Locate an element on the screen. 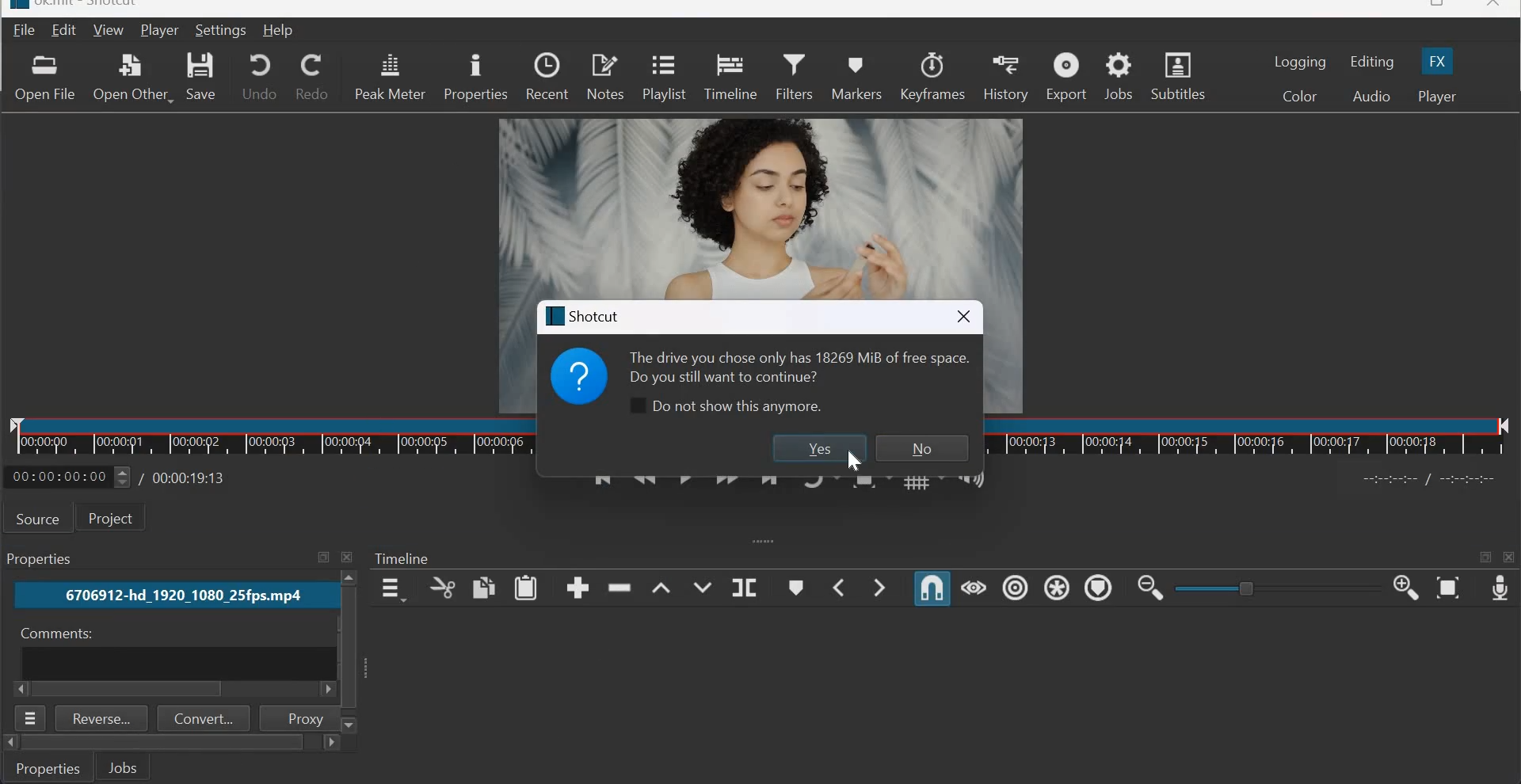   is located at coordinates (347, 647).